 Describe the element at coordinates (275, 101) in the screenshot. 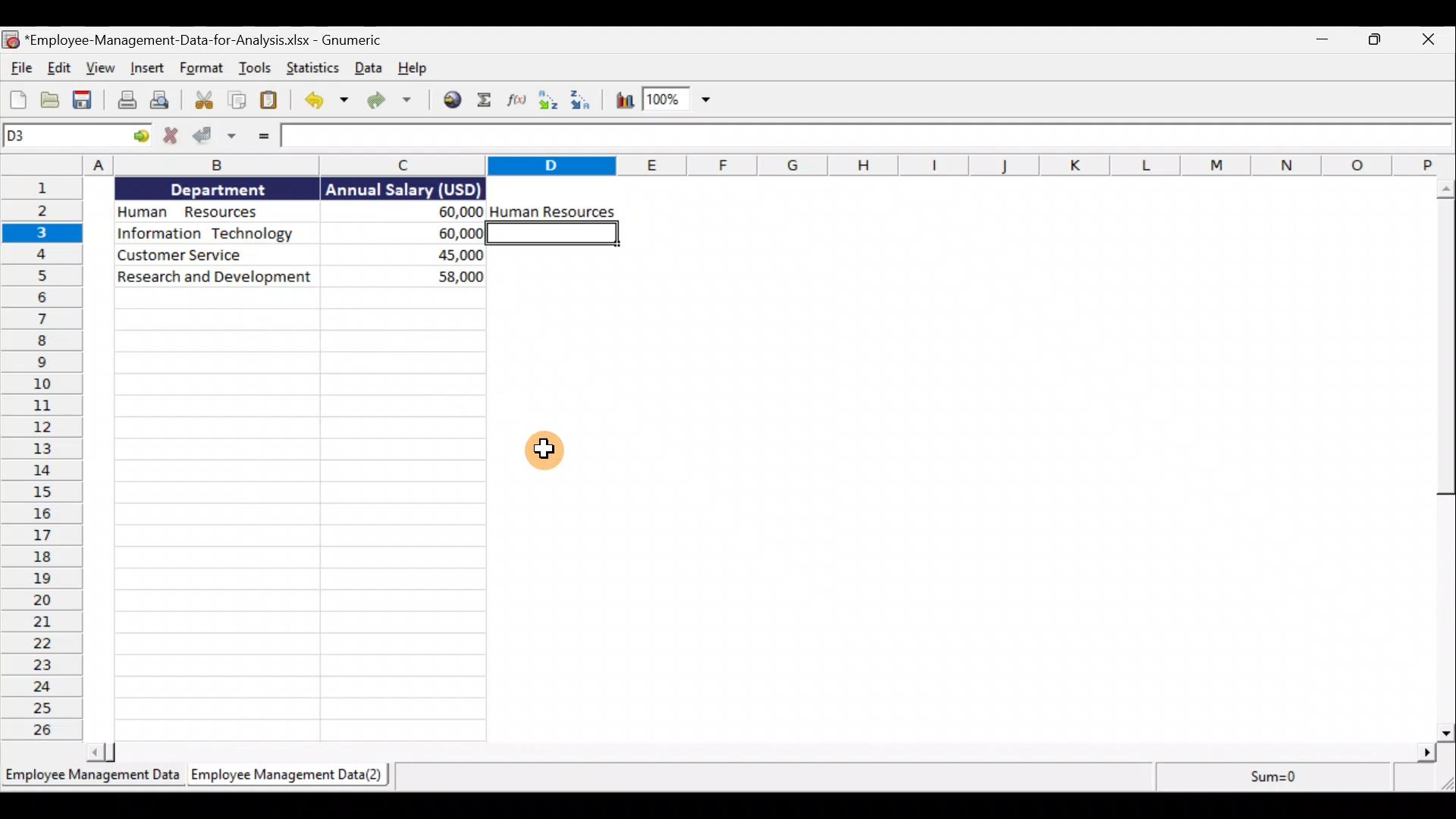

I see `Paste the clipboard` at that location.